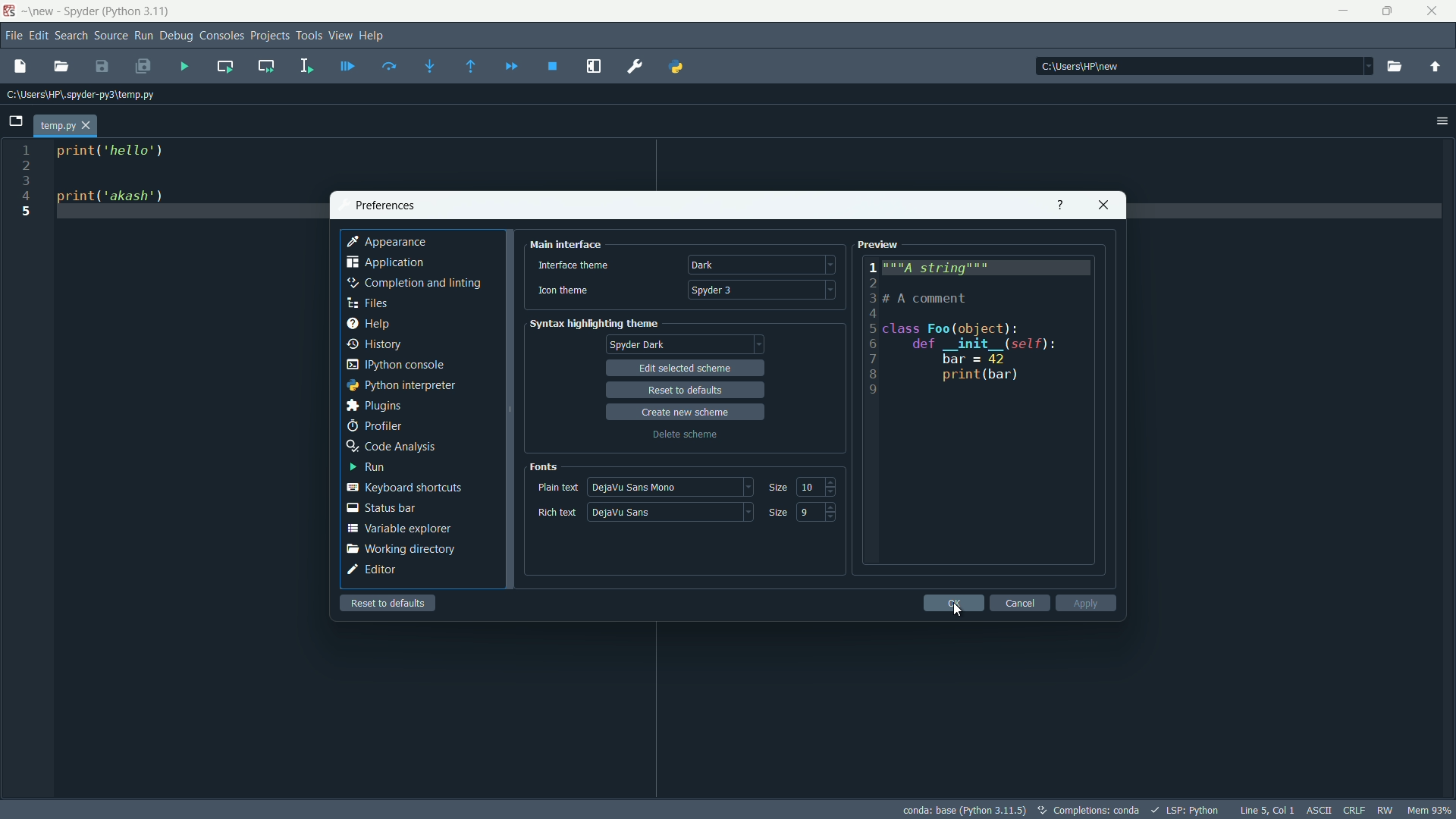 This screenshot has width=1456, height=819. What do you see at coordinates (510, 68) in the screenshot?
I see `continue execution until next function` at bounding box center [510, 68].